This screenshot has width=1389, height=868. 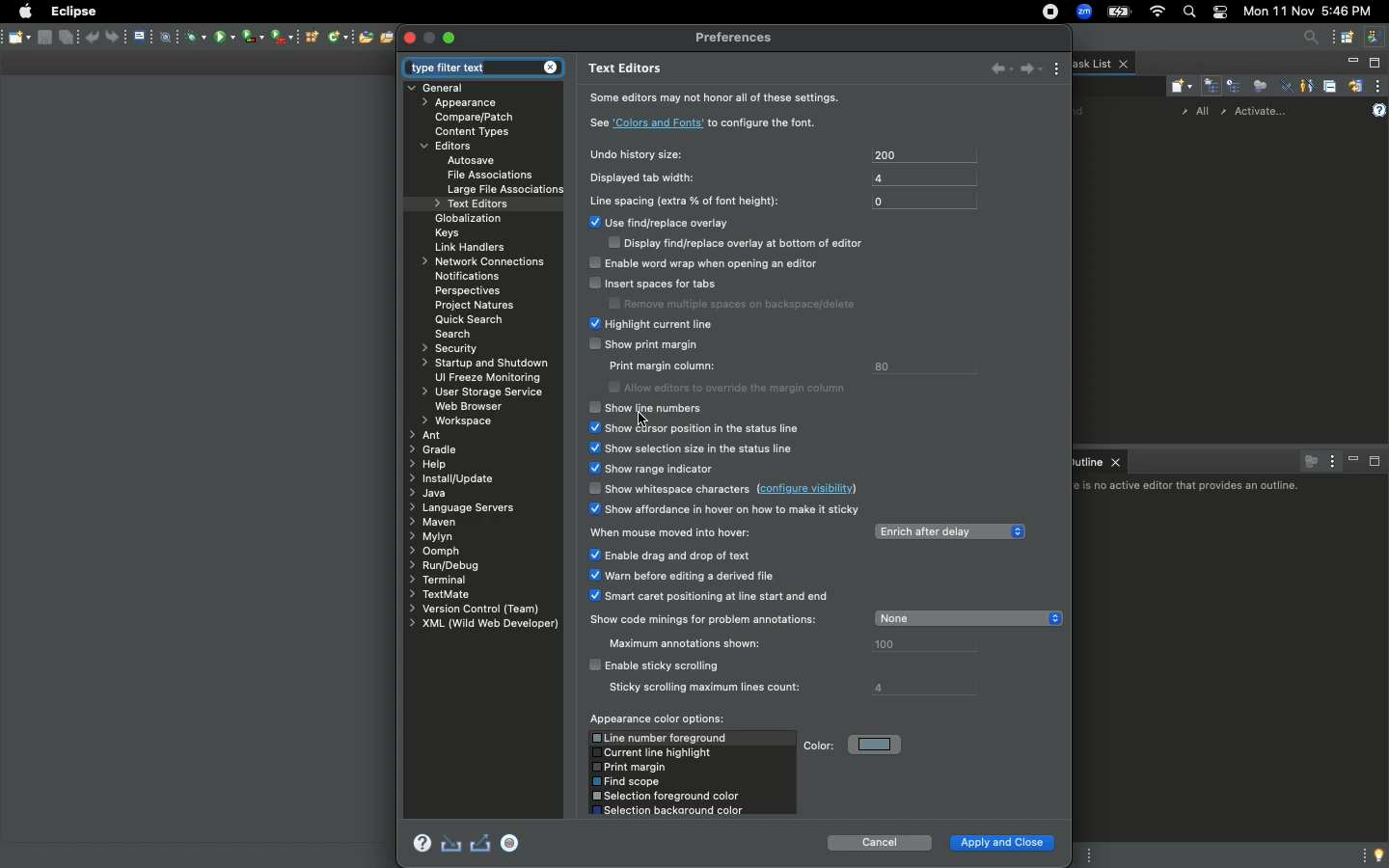 What do you see at coordinates (480, 843) in the screenshot?
I see `Export` at bounding box center [480, 843].